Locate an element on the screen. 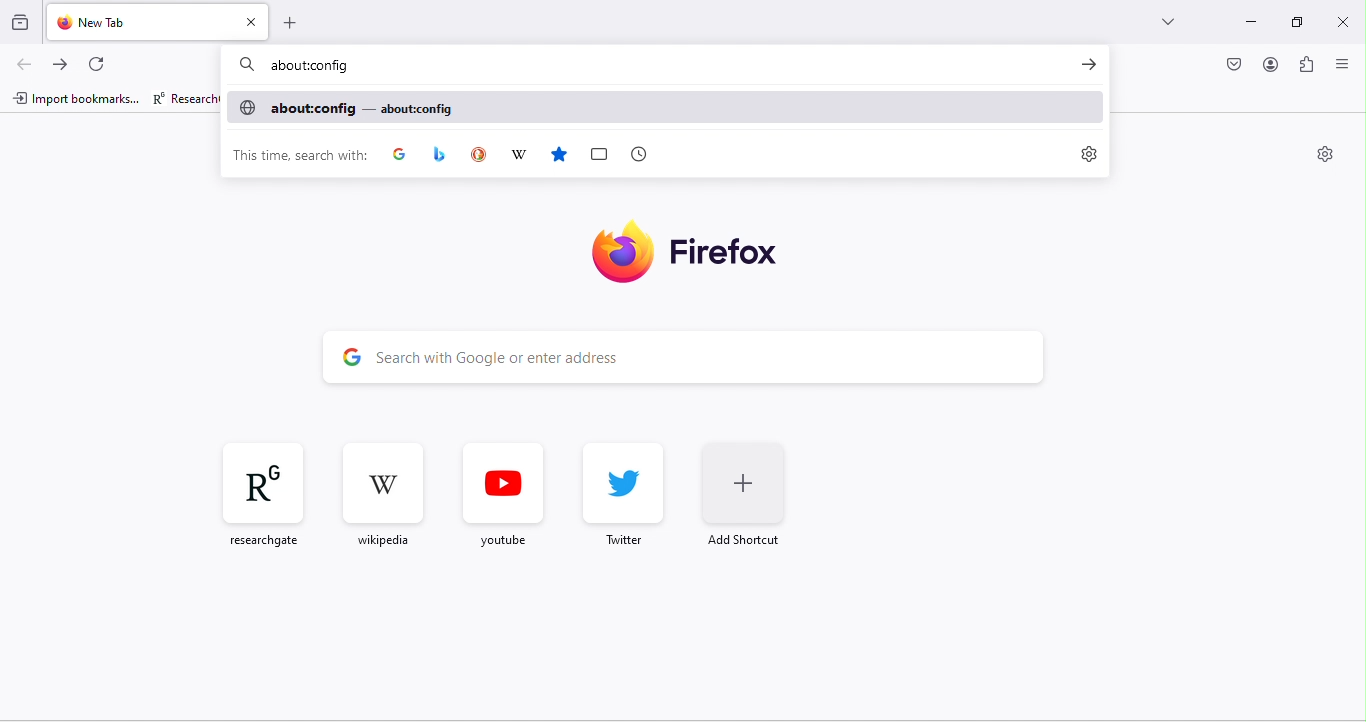  close or open sidebar is located at coordinates (1345, 64).